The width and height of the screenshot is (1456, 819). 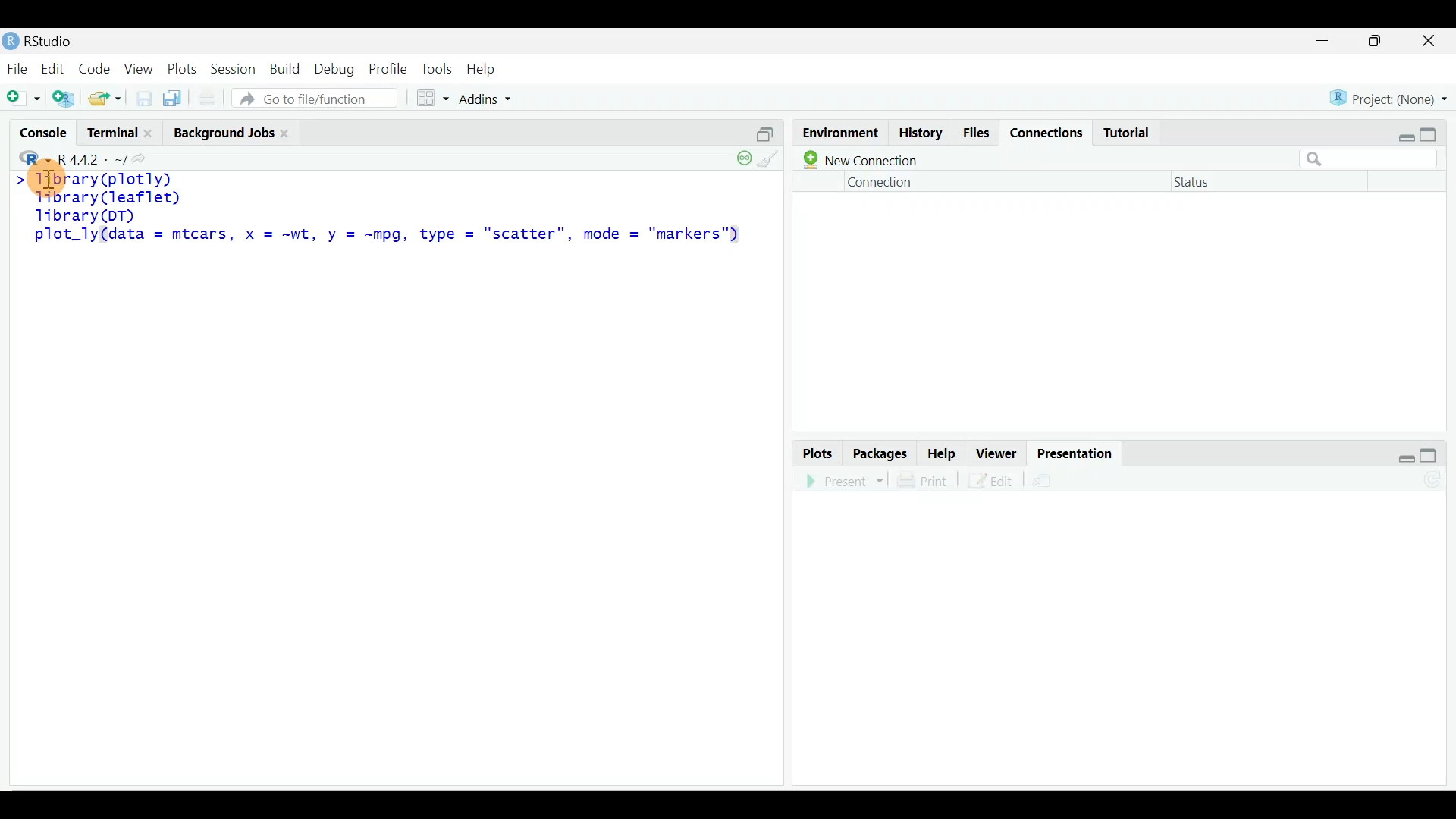 What do you see at coordinates (45, 135) in the screenshot?
I see `Console` at bounding box center [45, 135].